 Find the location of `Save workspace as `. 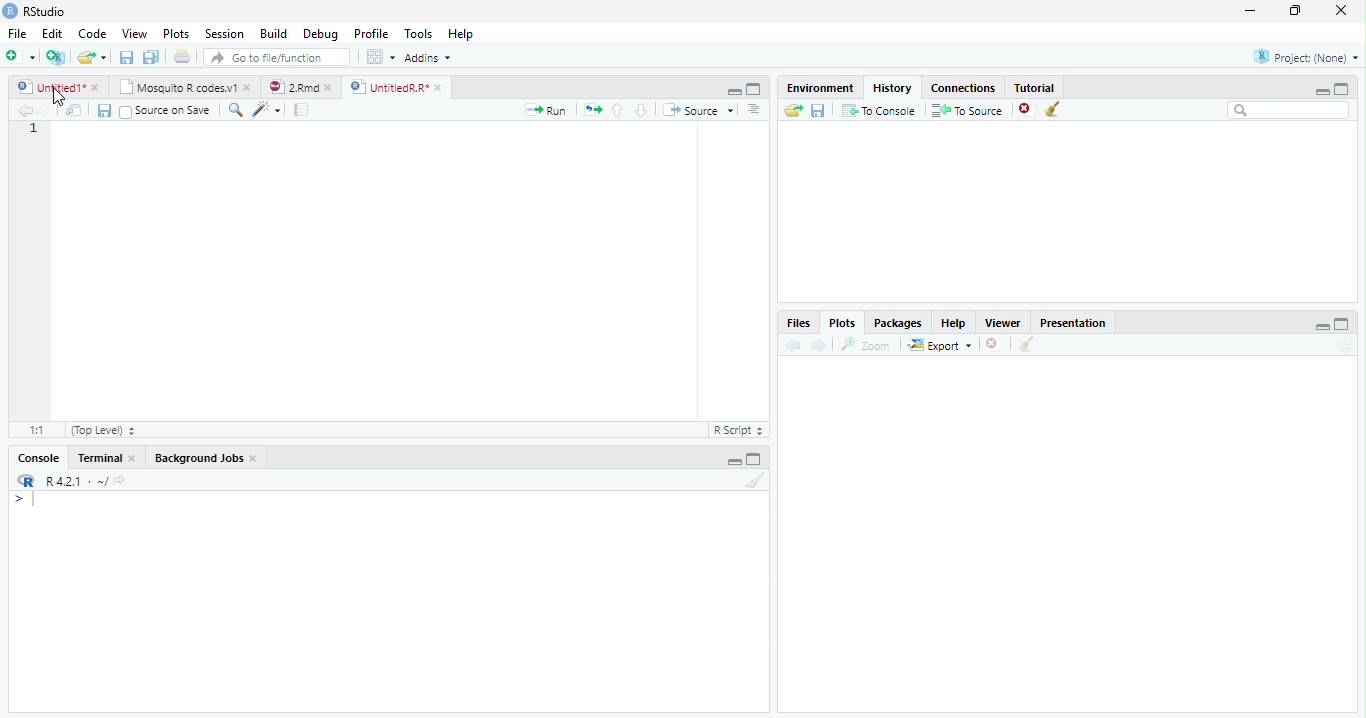

Save workspace as  is located at coordinates (821, 111).